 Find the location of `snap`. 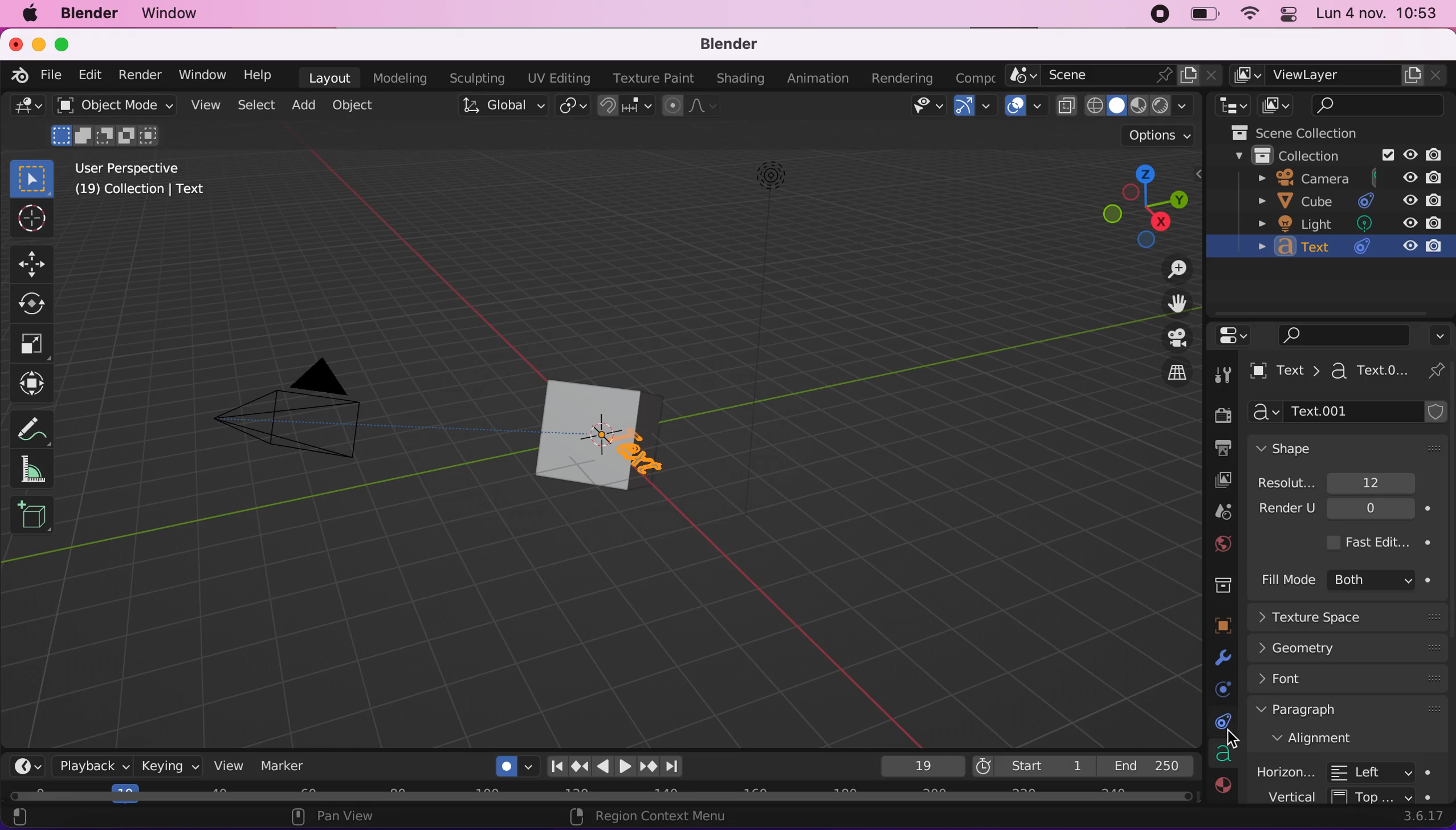

snap is located at coordinates (624, 107).